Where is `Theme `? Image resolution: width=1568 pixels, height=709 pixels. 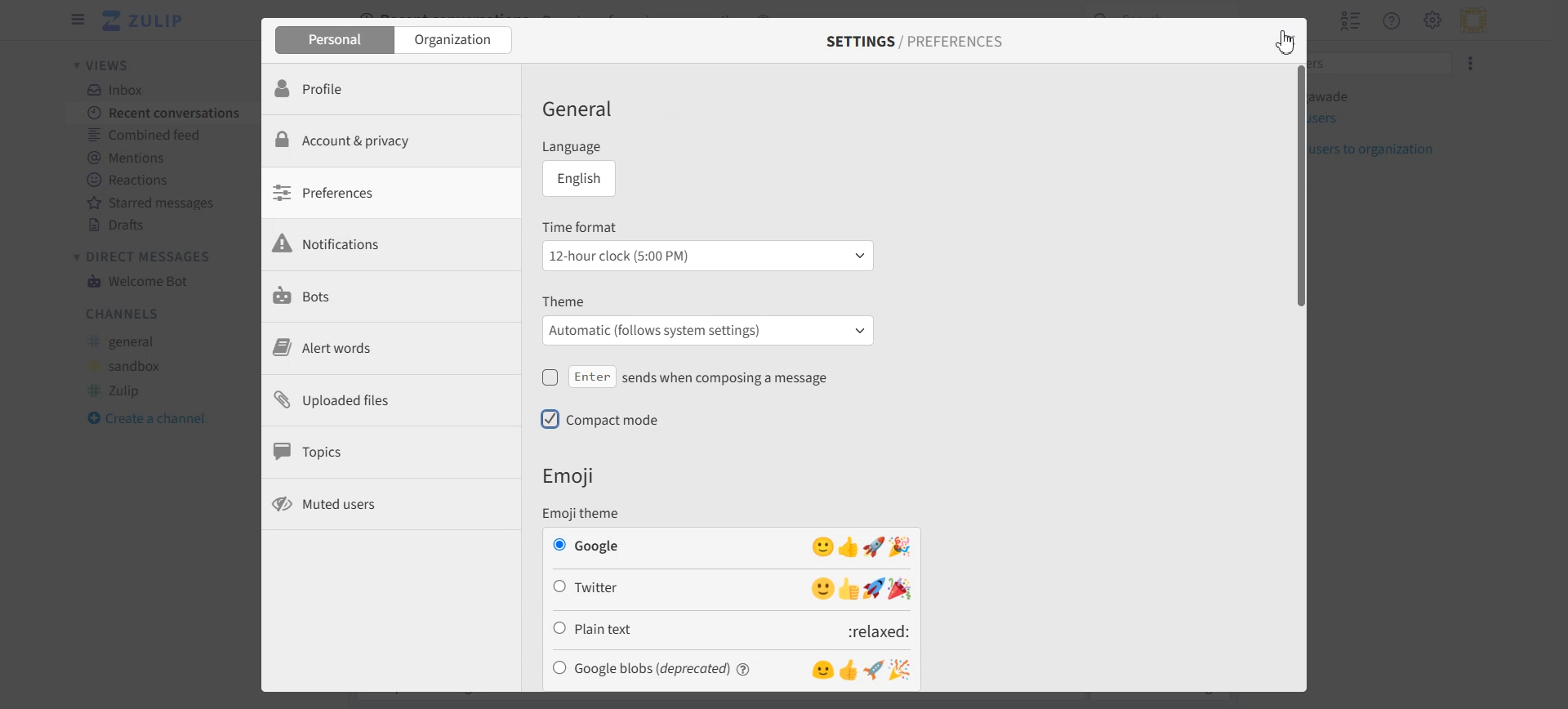 Theme  is located at coordinates (710, 300).